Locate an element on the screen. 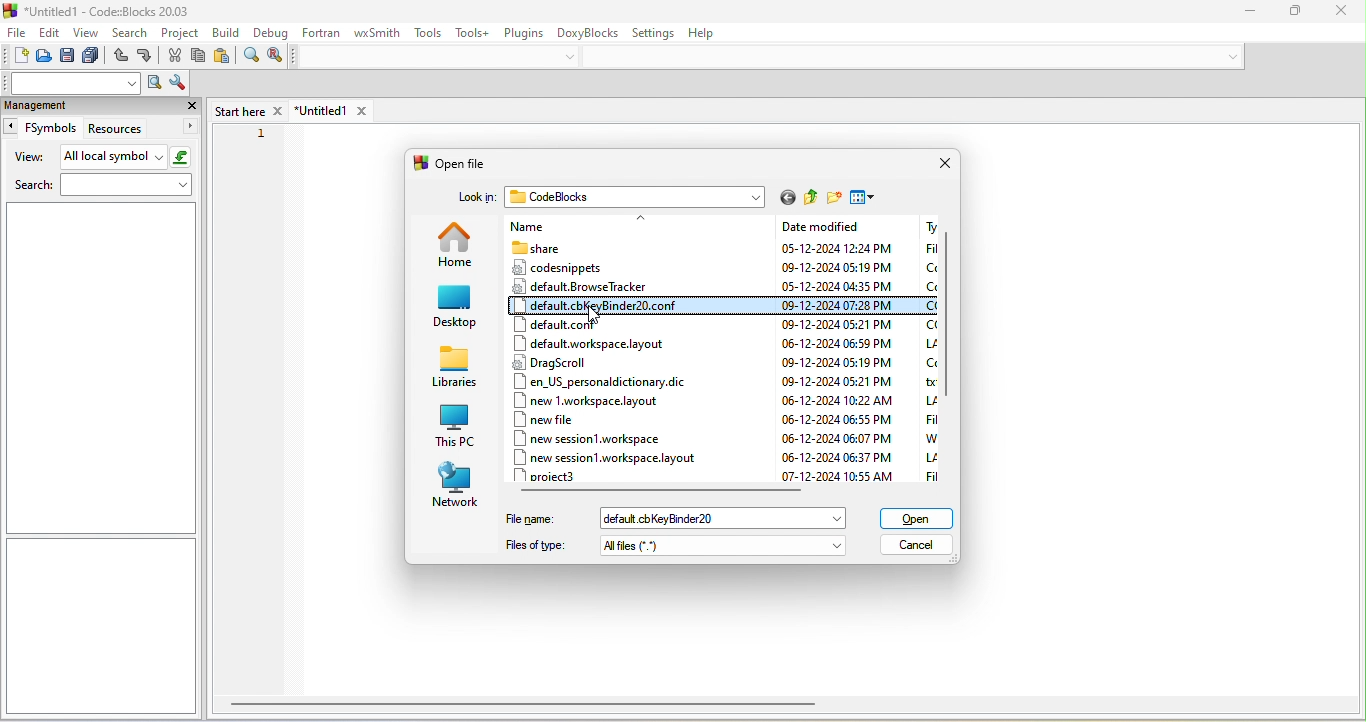  view menu is located at coordinates (865, 197).